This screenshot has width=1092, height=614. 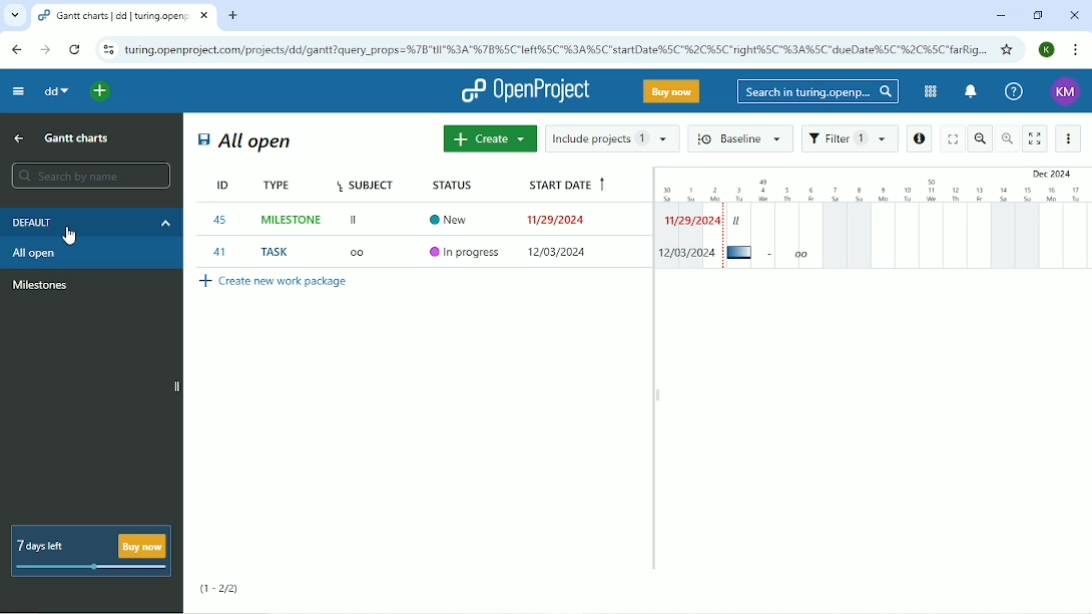 I want to click on Activate zen mode, so click(x=1037, y=139).